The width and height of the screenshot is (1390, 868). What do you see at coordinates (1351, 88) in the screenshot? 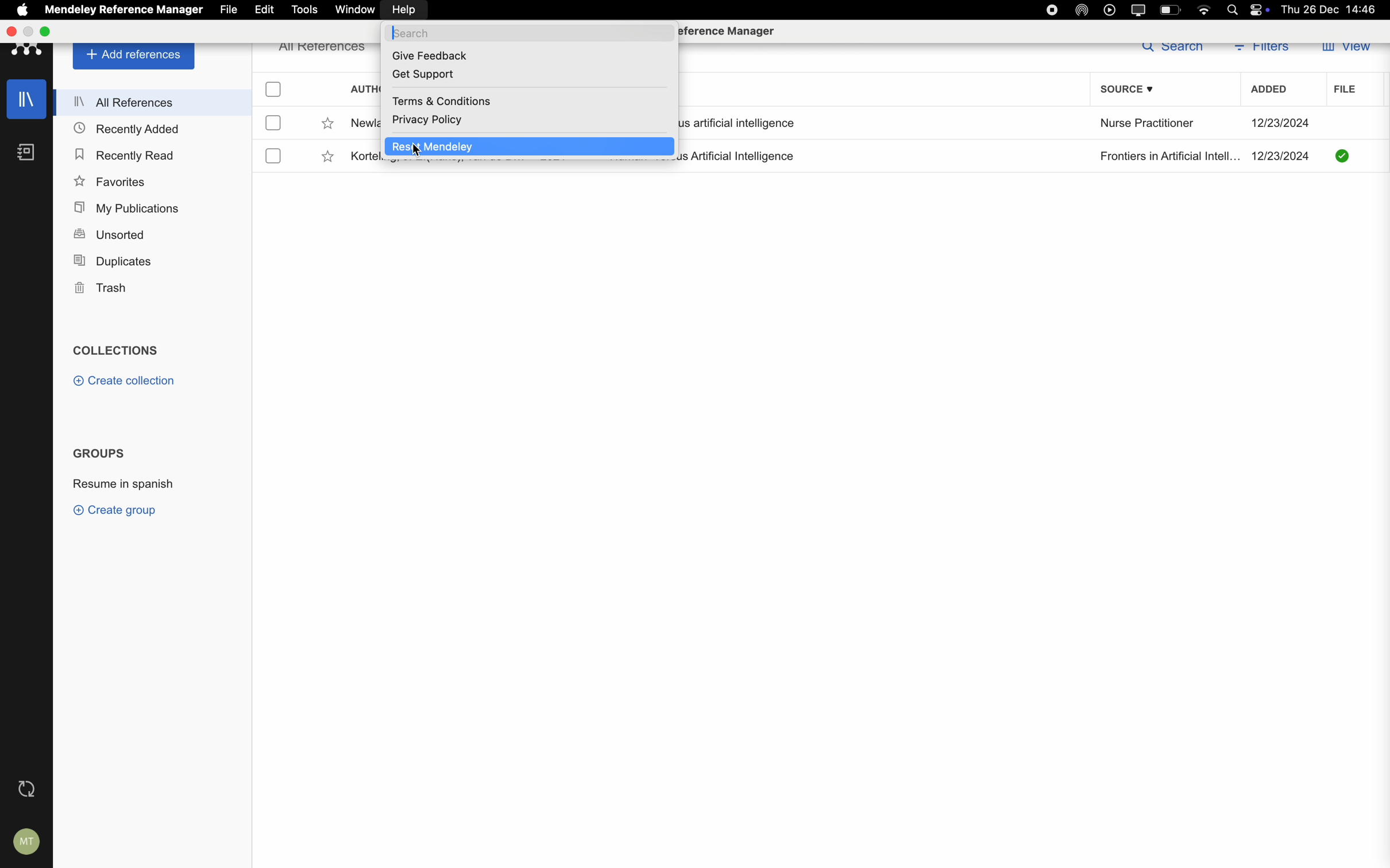
I see `file` at bounding box center [1351, 88].